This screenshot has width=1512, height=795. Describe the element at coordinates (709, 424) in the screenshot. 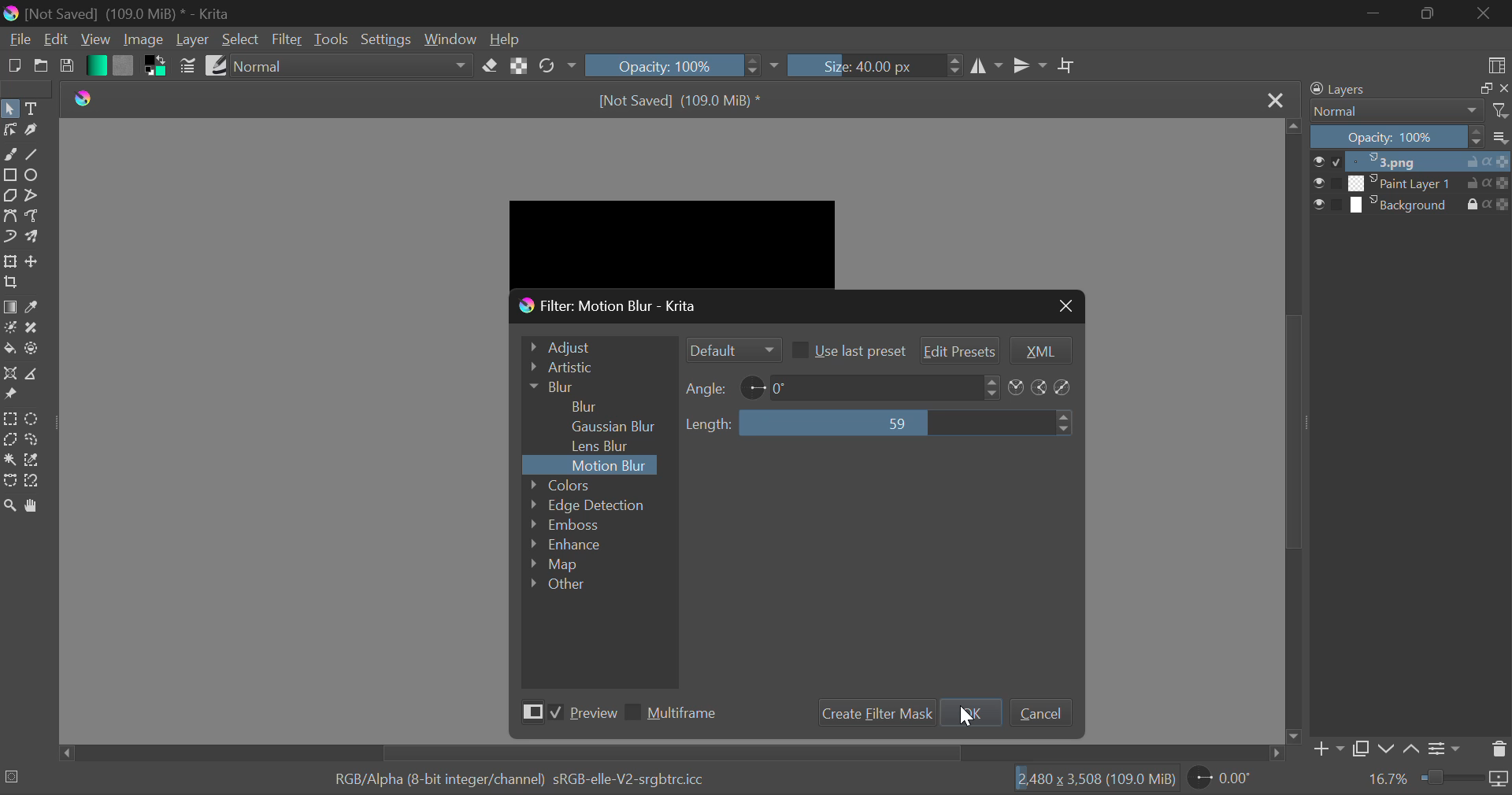

I see `Length` at that location.